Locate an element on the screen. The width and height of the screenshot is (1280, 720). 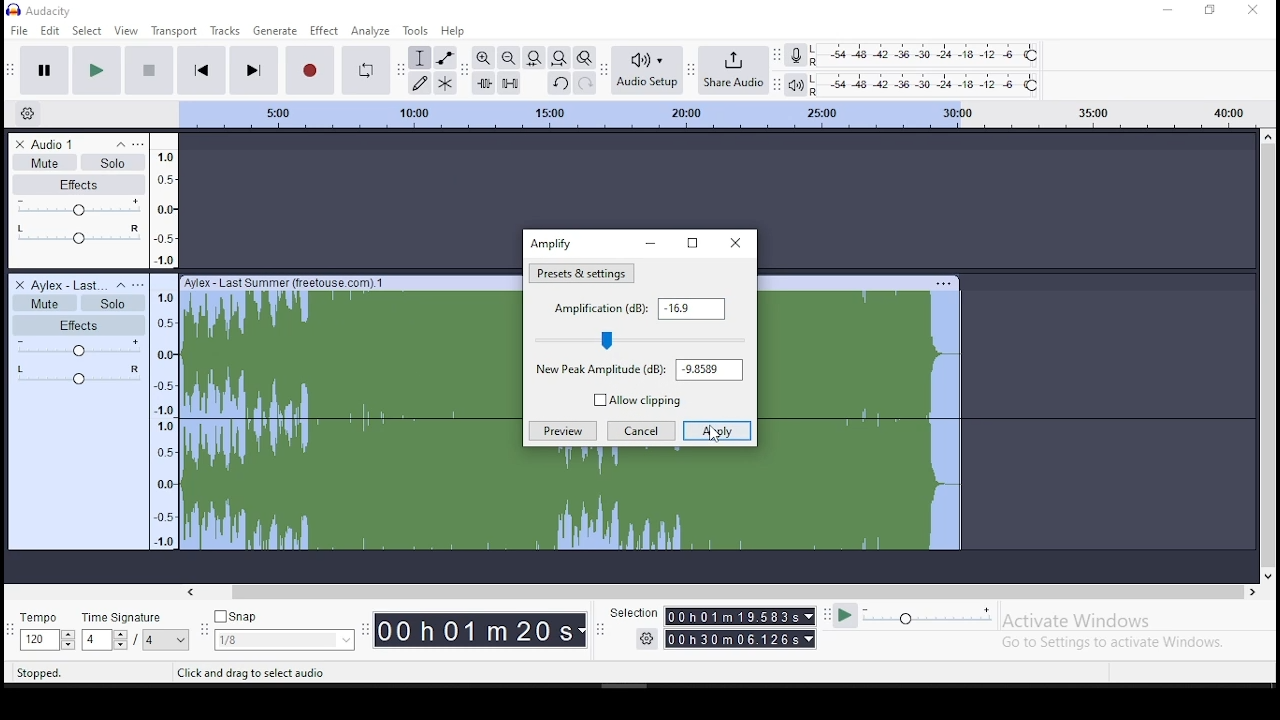
tools is located at coordinates (416, 31).